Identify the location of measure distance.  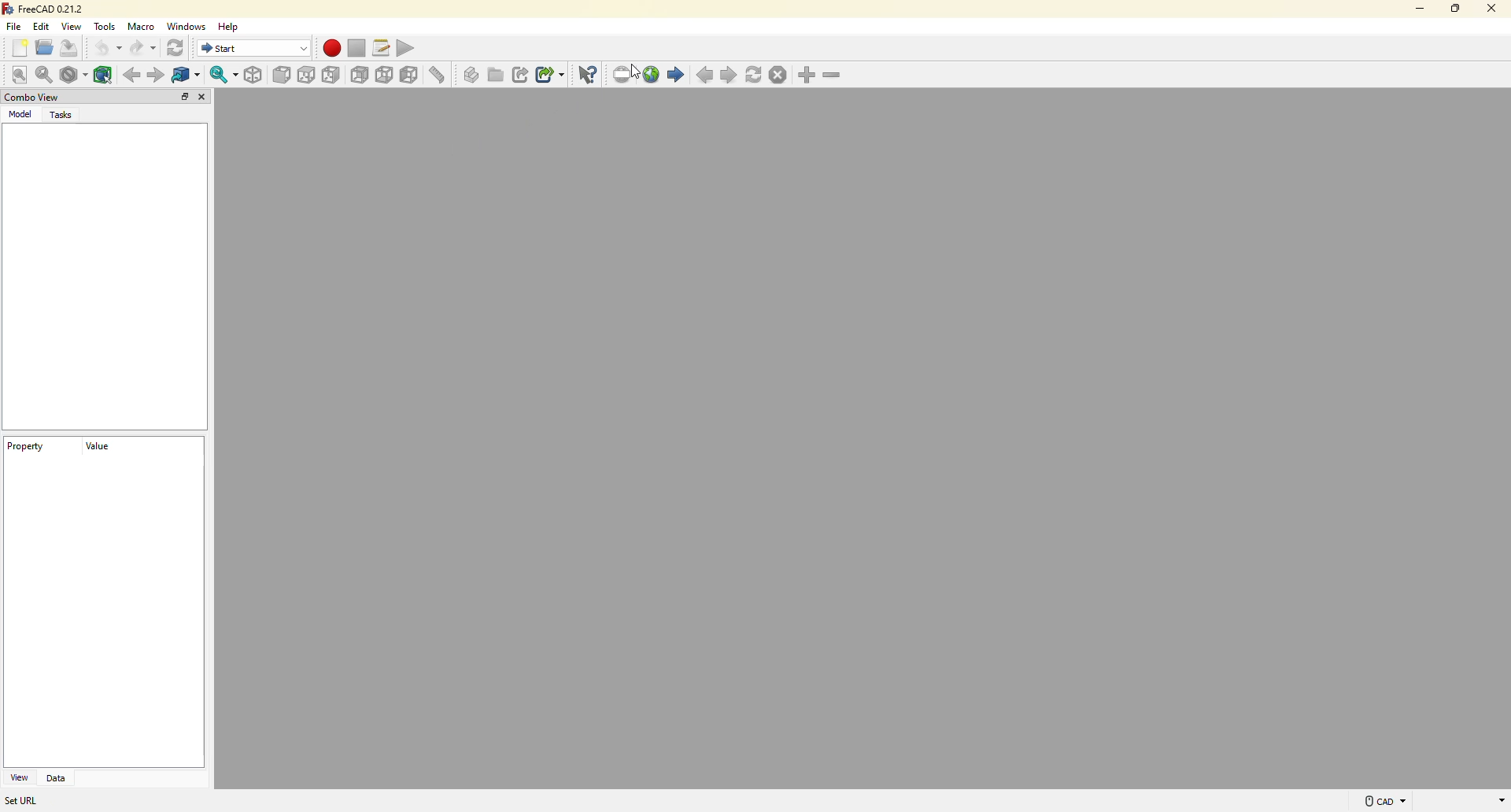
(441, 76).